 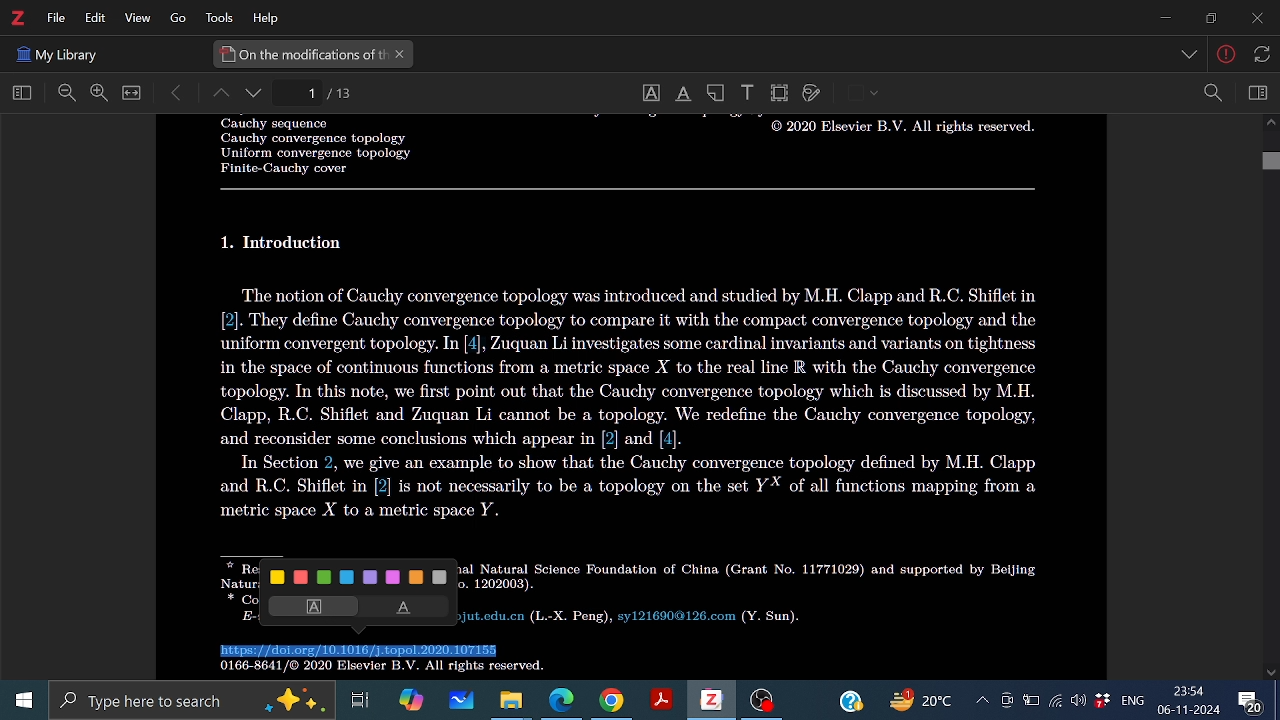 I want to click on Help, so click(x=850, y=699).